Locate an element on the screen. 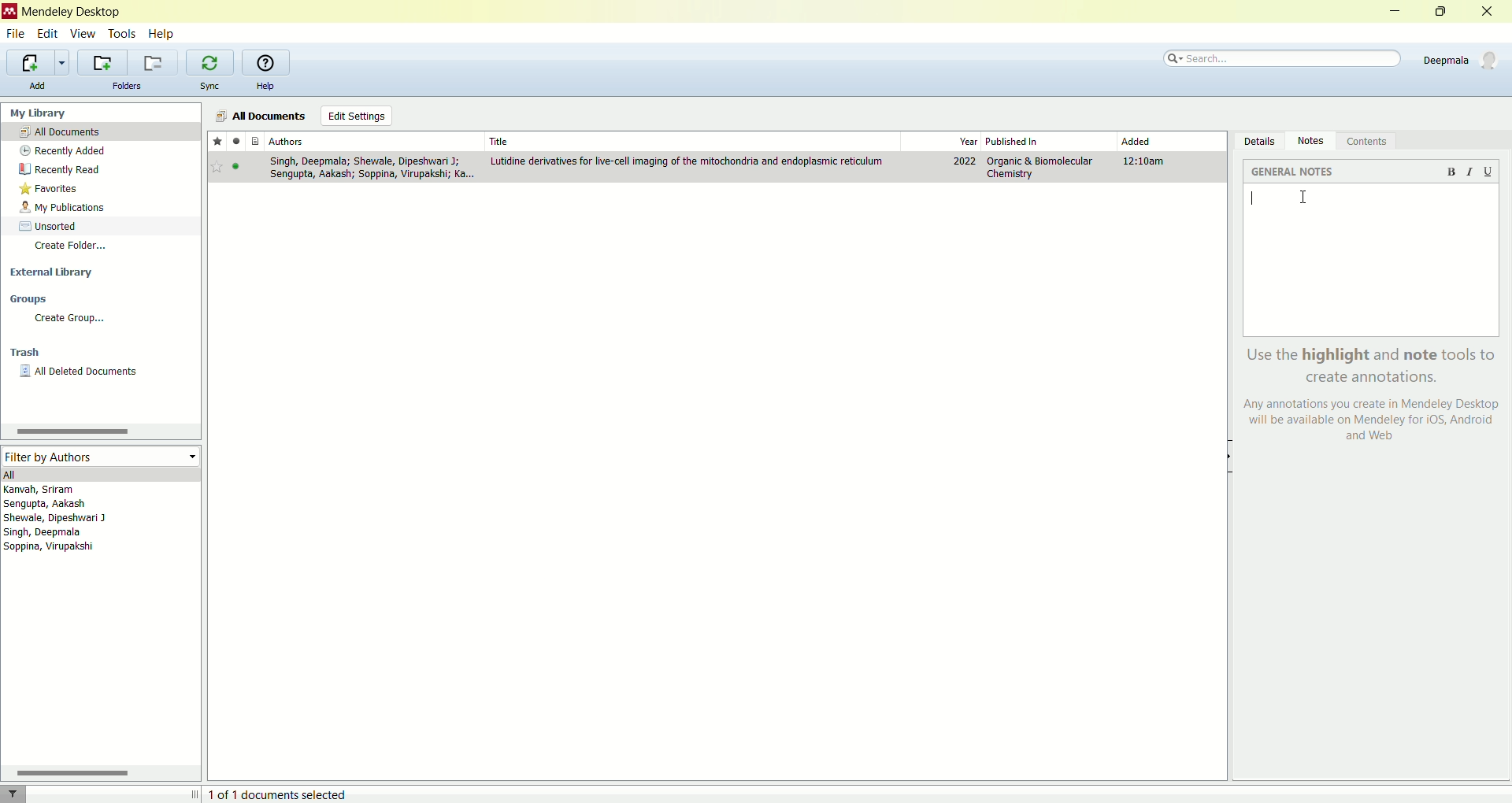 This screenshot has width=1512, height=803. edit is located at coordinates (47, 33).